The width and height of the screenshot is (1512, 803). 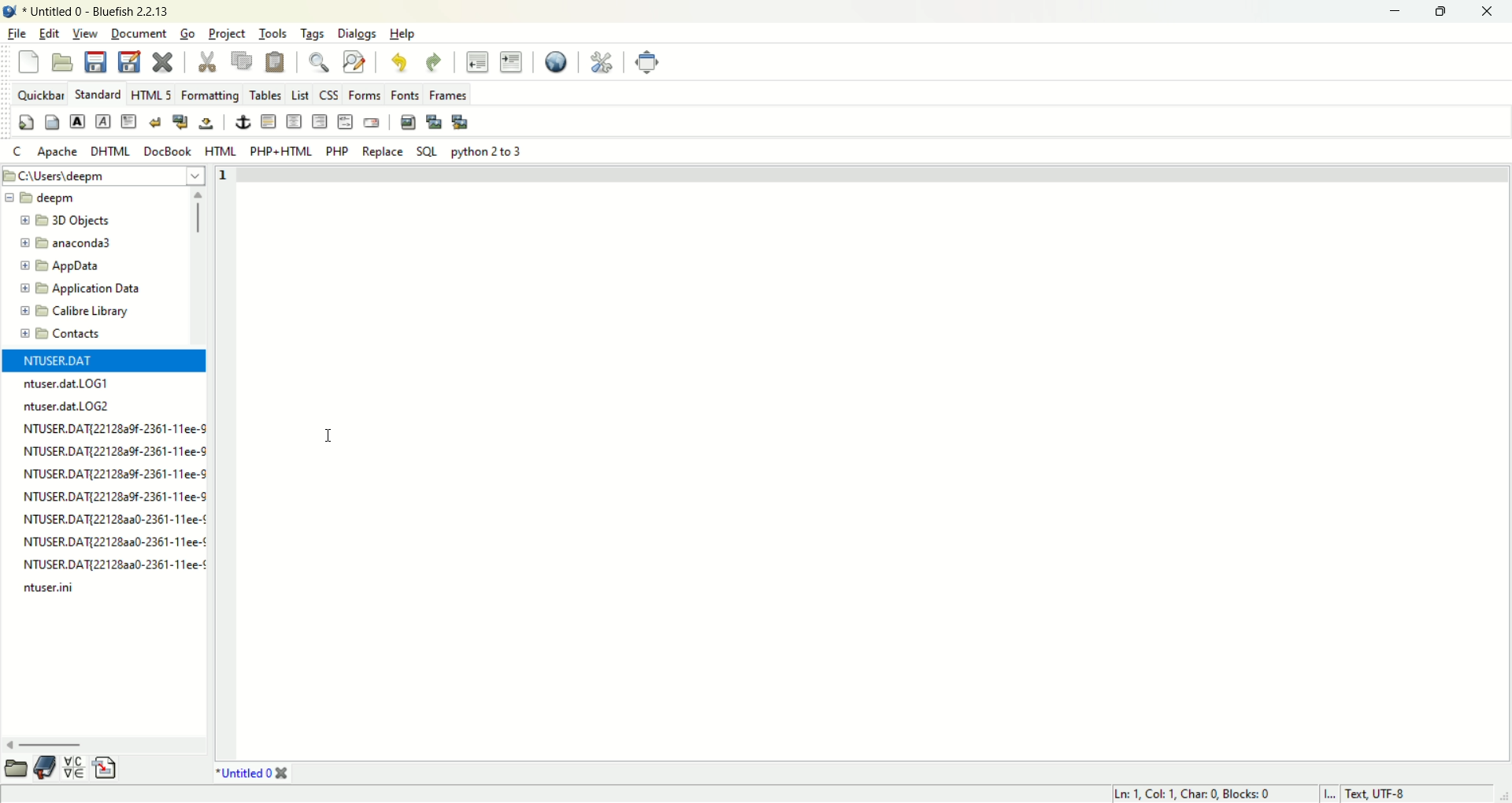 What do you see at coordinates (478, 63) in the screenshot?
I see `unindent` at bounding box center [478, 63].